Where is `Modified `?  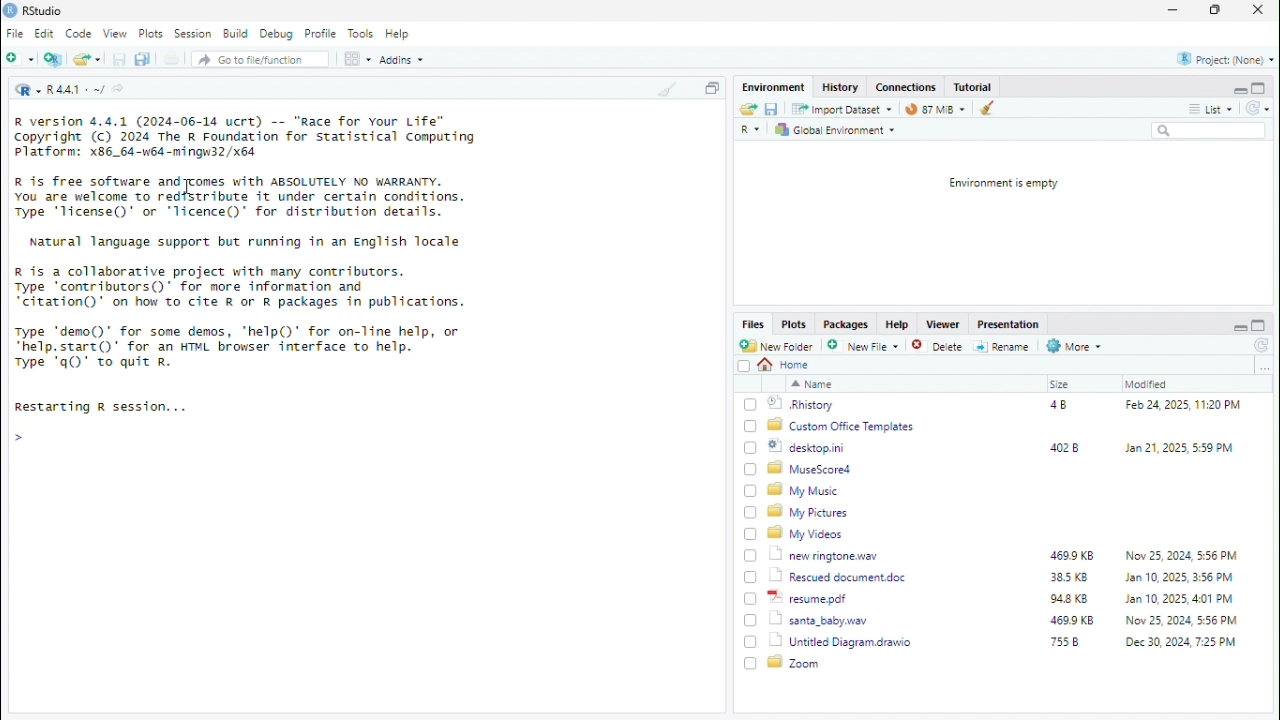
Modified  is located at coordinates (1147, 384).